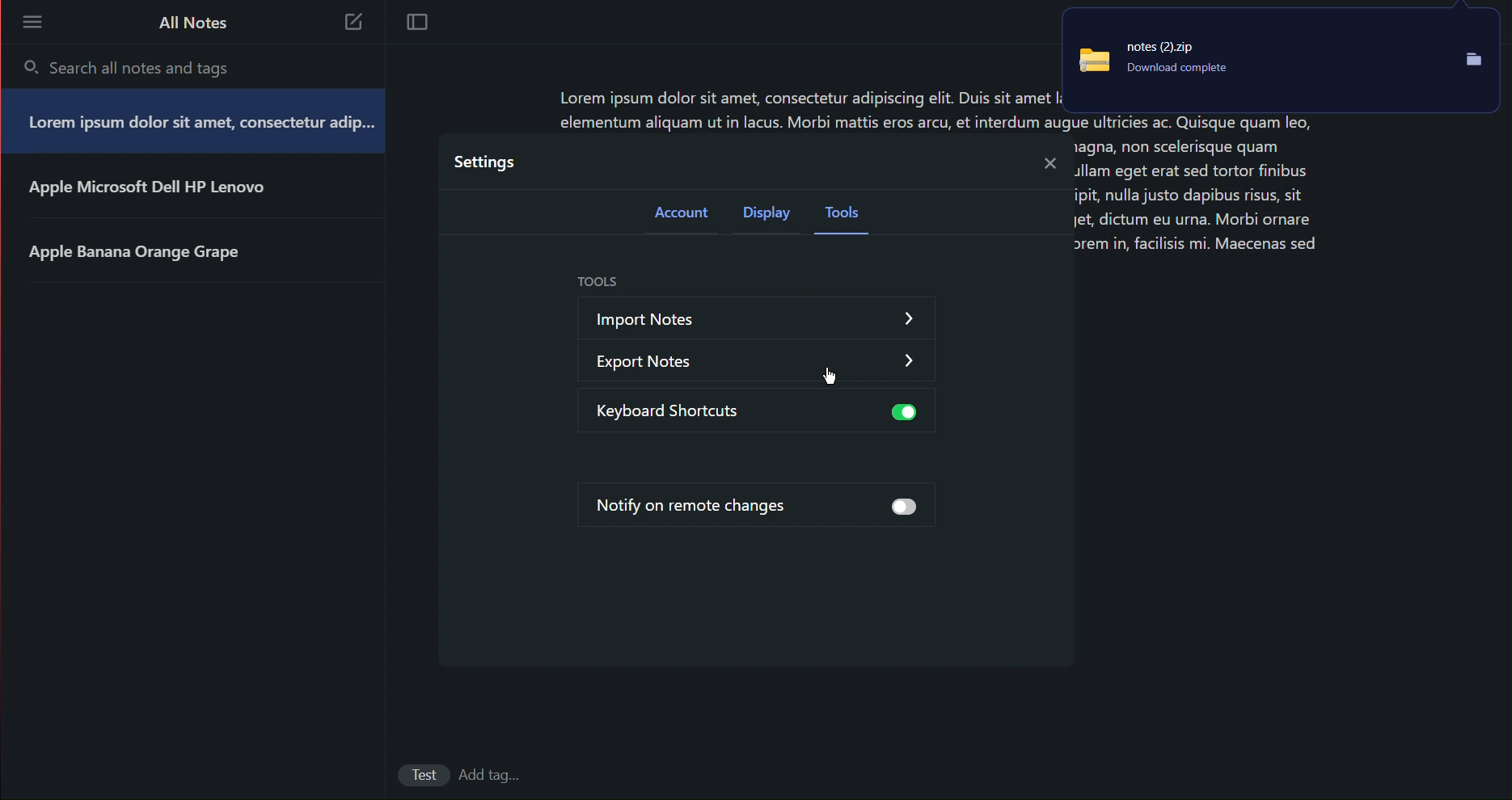 This screenshot has height=800, width=1512. Describe the element at coordinates (908, 359) in the screenshot. I see `dropdown` at that location.